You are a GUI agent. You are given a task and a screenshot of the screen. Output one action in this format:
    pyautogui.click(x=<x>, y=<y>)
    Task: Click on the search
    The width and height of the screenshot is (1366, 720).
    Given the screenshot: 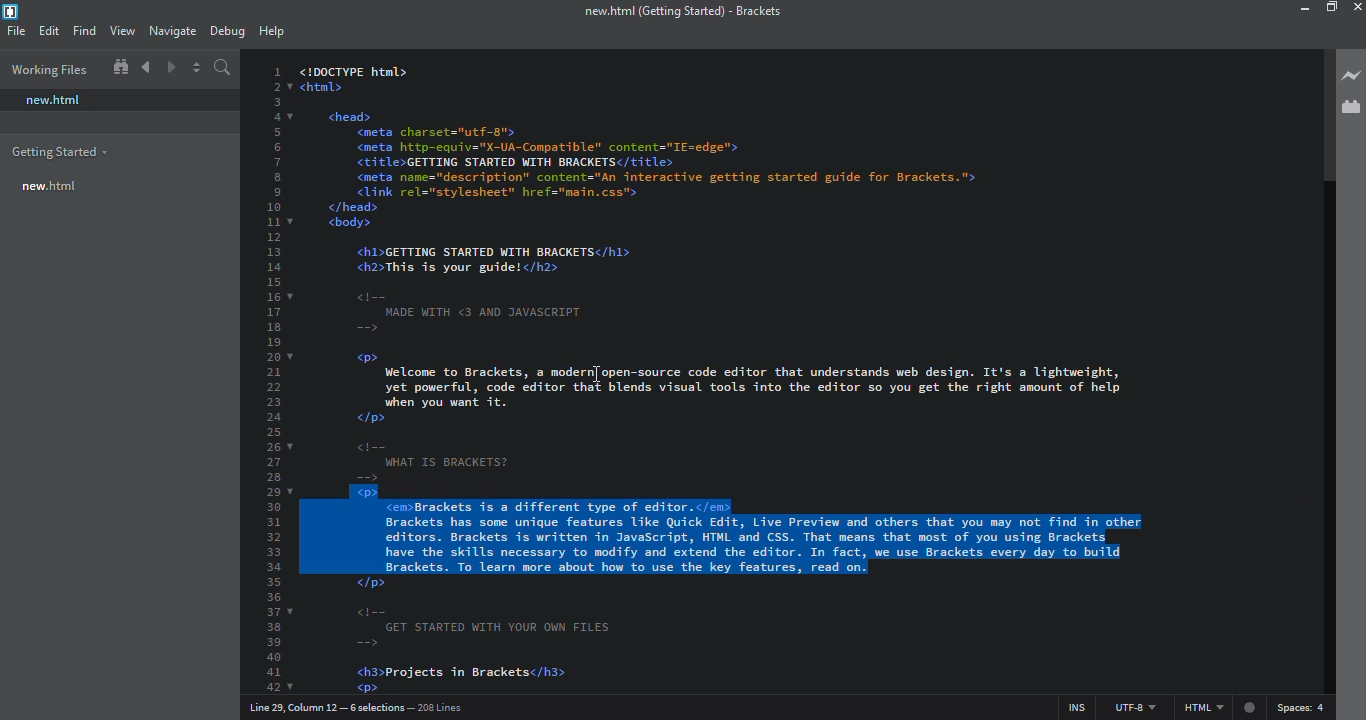 What is the action you would take?
    pyautogui.click(x=223, y=68)
    